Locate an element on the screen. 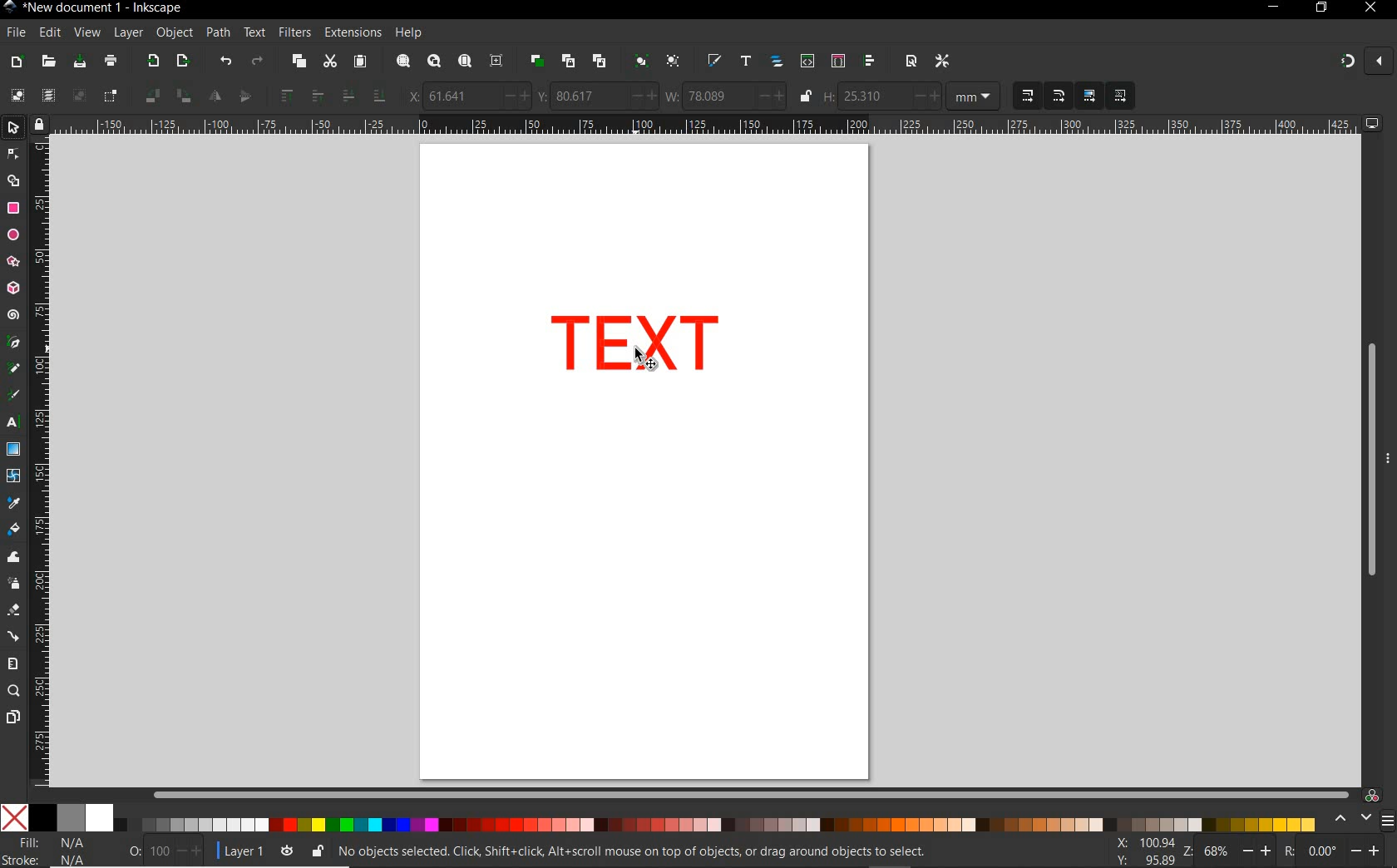 This screenshot has width=1397, height=868. no objects selected is located at coordinates (637, 851).